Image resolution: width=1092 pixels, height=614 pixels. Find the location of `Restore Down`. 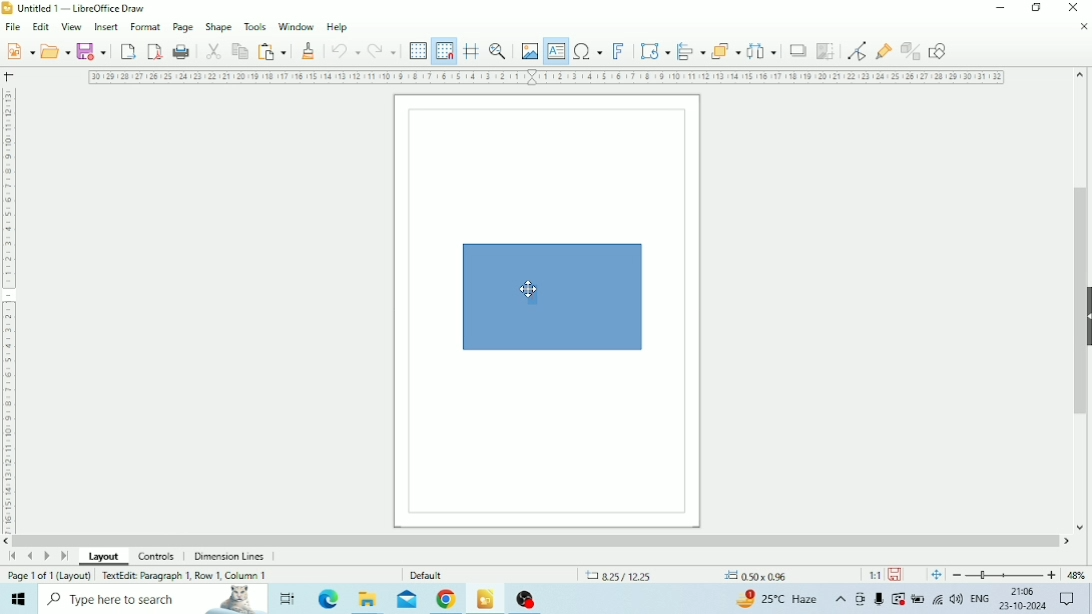

Restore Down is located at coordinates (1035, 9).